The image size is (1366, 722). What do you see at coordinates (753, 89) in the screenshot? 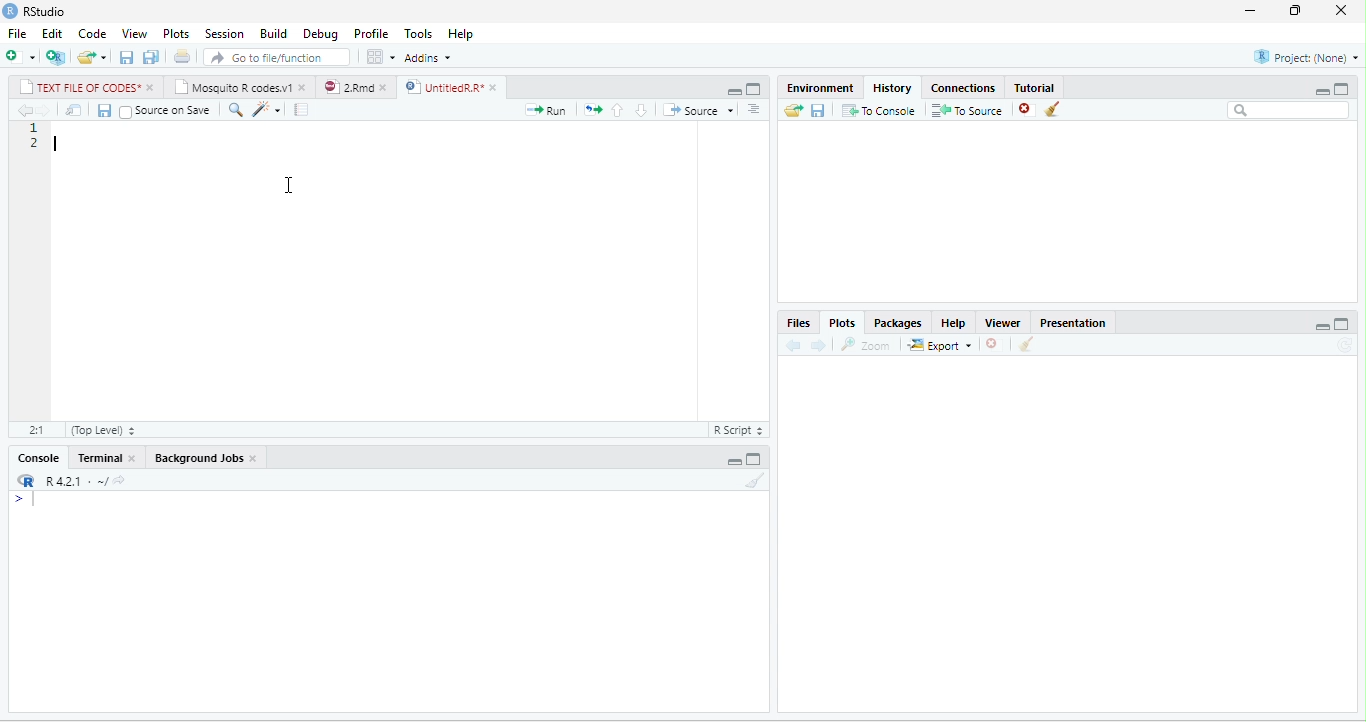
I see `maximize` at bounding box center [753, 89].